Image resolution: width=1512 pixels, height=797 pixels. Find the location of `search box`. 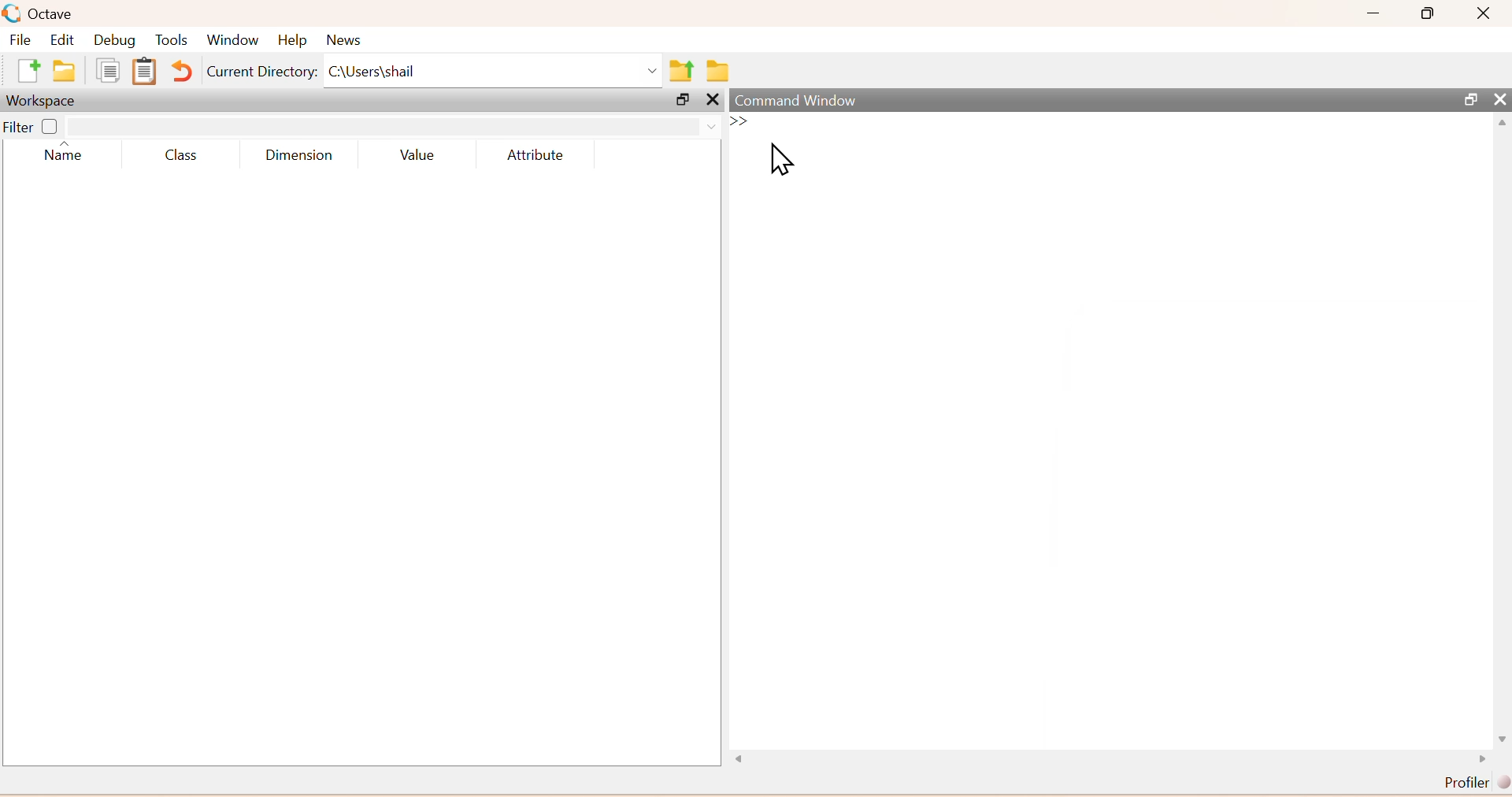

search box is located at coordinates (382, 126).